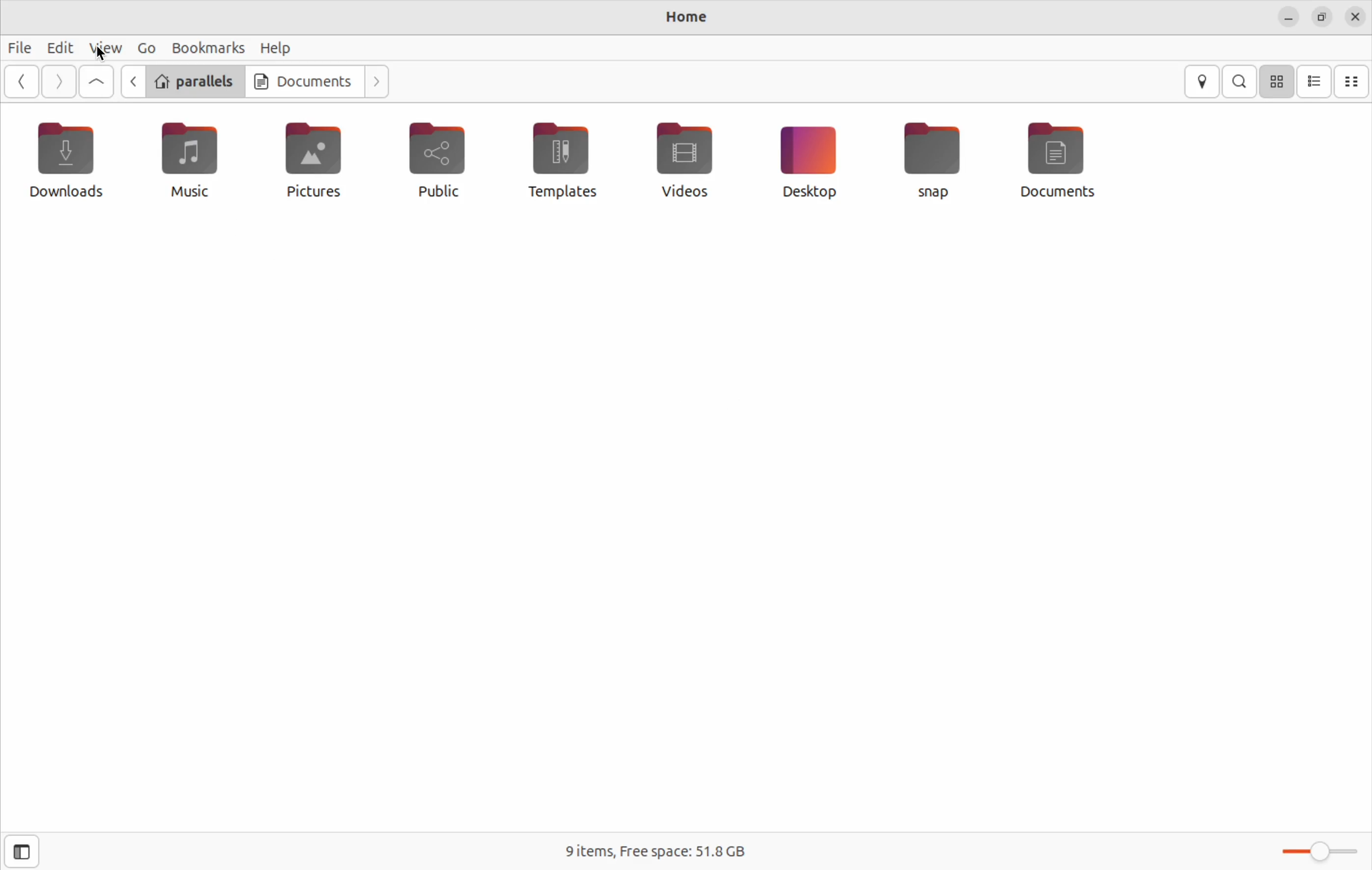  What do you see at coordinates (144, 48) in the screenshot?
I see `Go` at bounding box center [144, 48].